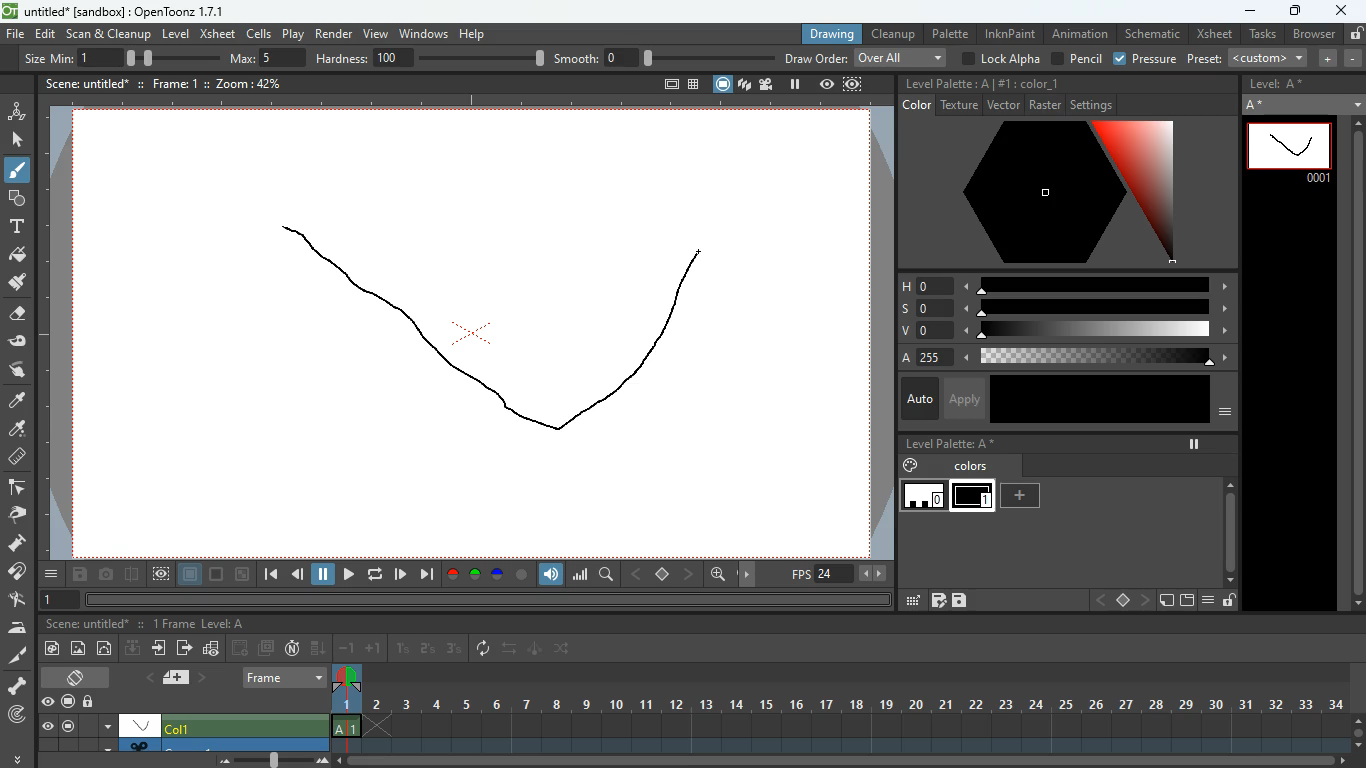  Describe the element at coordinates (1092, 105) in the screenshot. I see `Settings` at that location.